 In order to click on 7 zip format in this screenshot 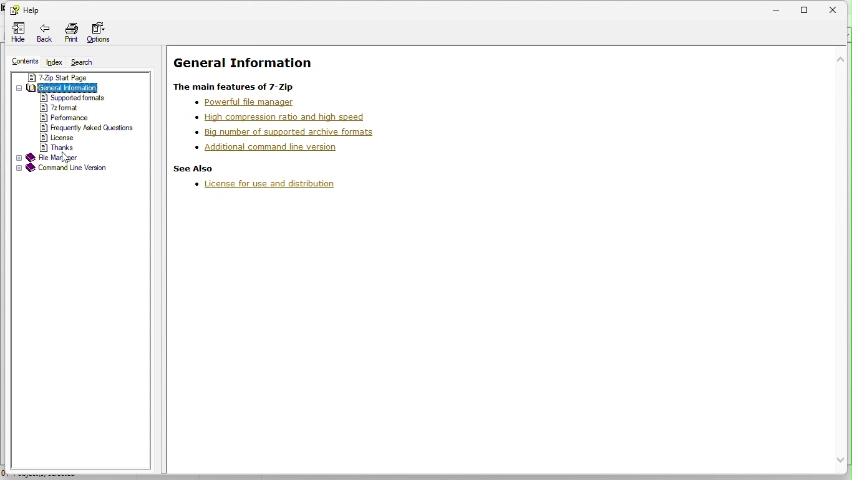, I will do `click(61, 107)`.